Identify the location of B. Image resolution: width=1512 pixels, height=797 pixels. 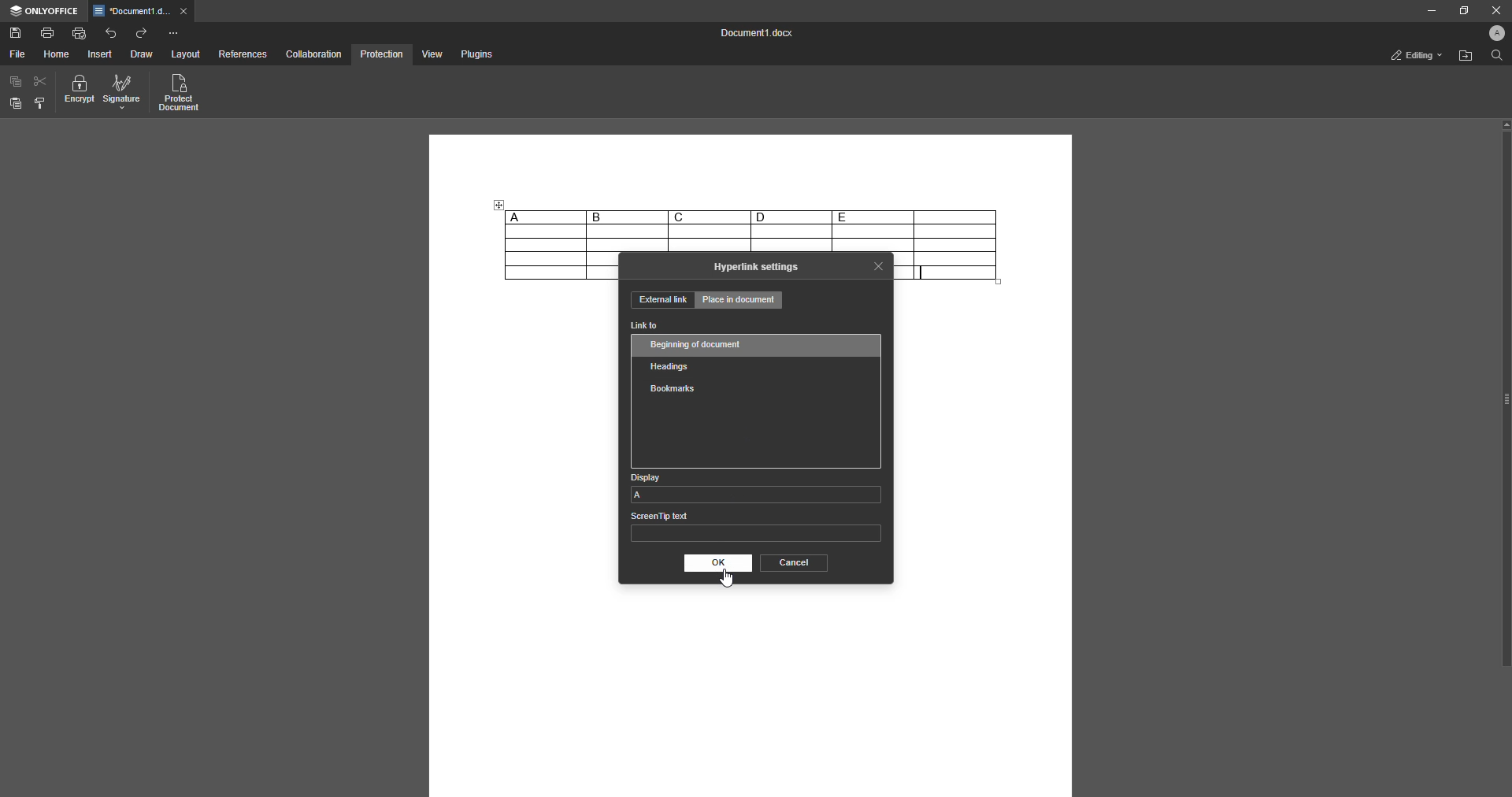
(627, 217).